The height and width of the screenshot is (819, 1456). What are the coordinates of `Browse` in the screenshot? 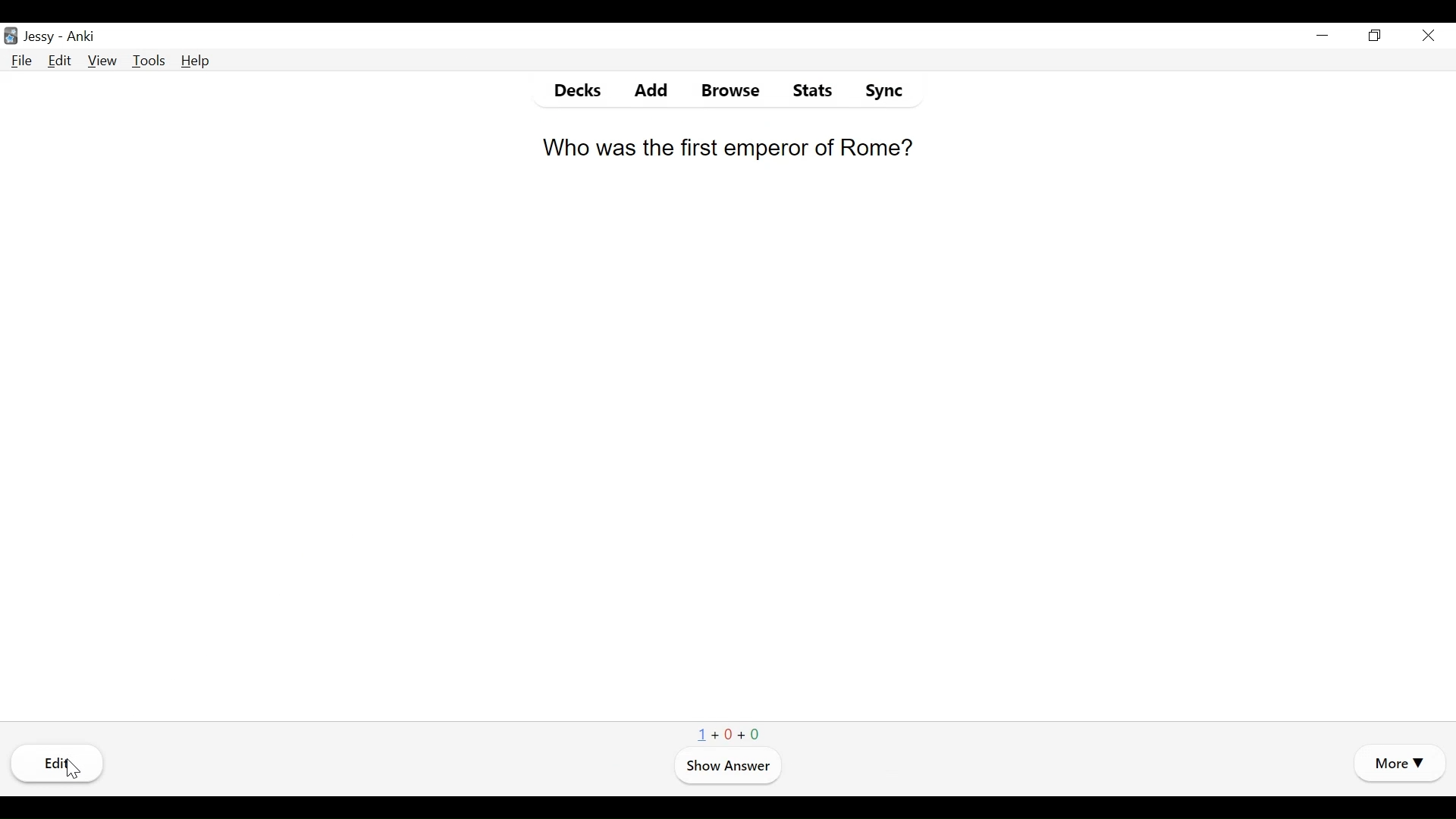 It's located at (726, 90).